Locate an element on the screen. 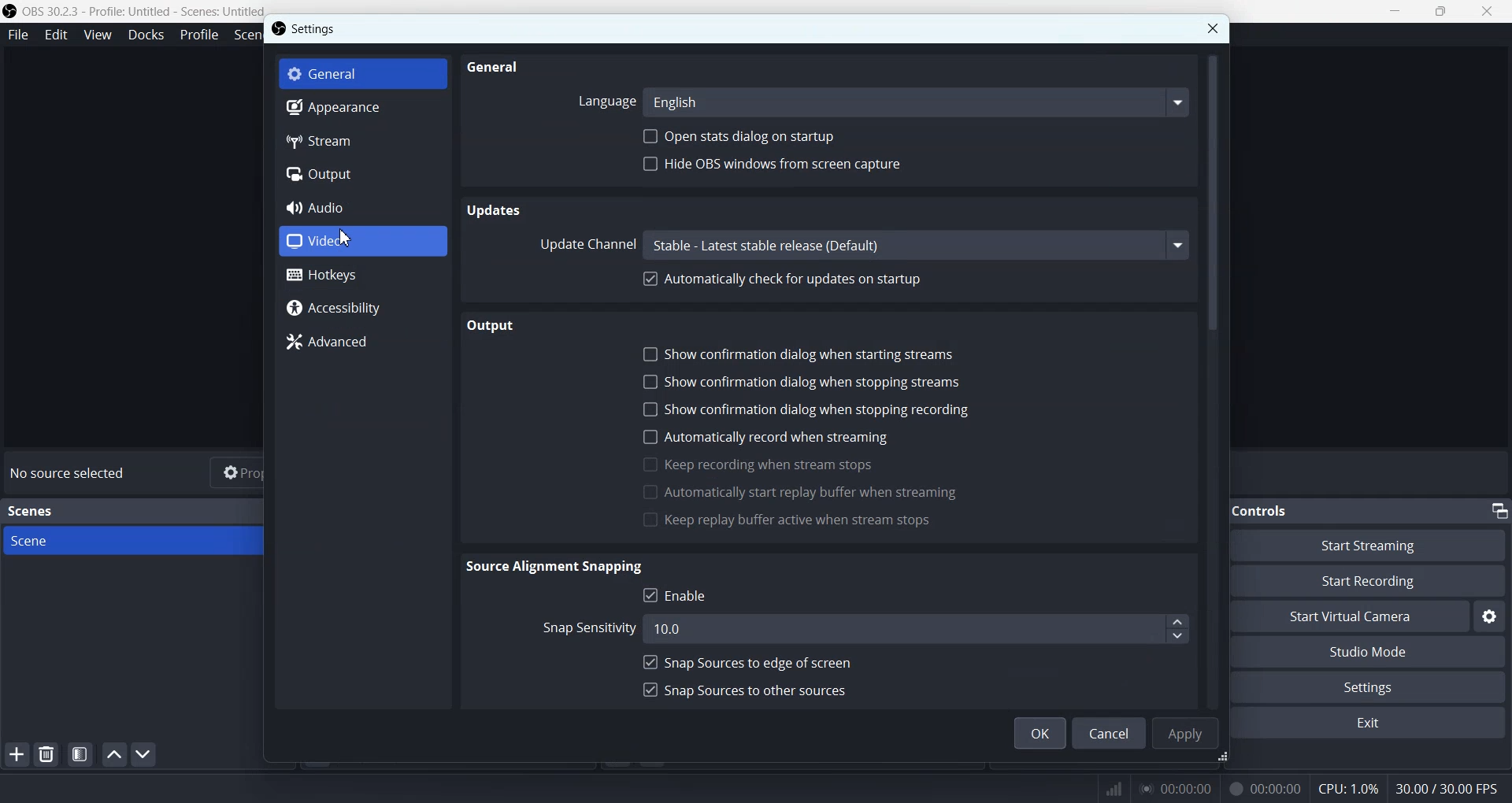  network is located at coordinates (1110, 786).